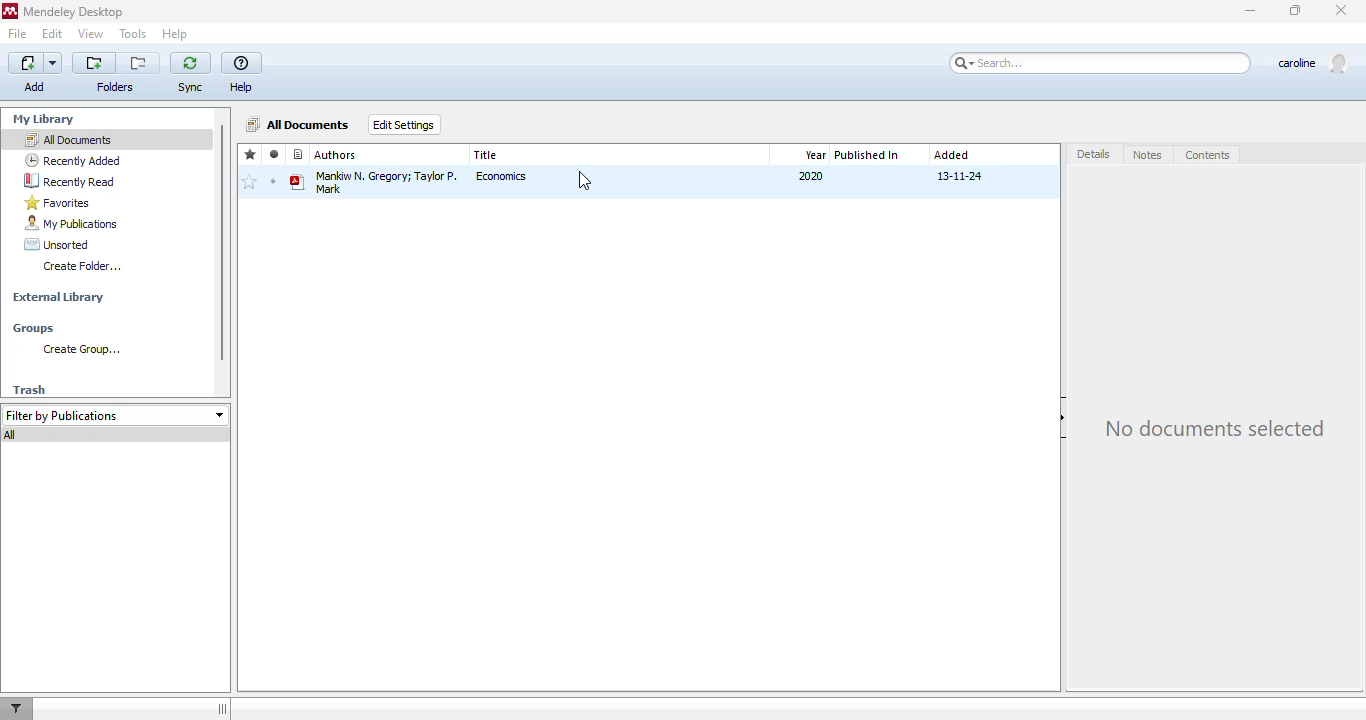 This screenshot has height=720, width=1366. Describe the element at coordinates (93, 63) in the screenshot. I see `create a new folder` at that location.